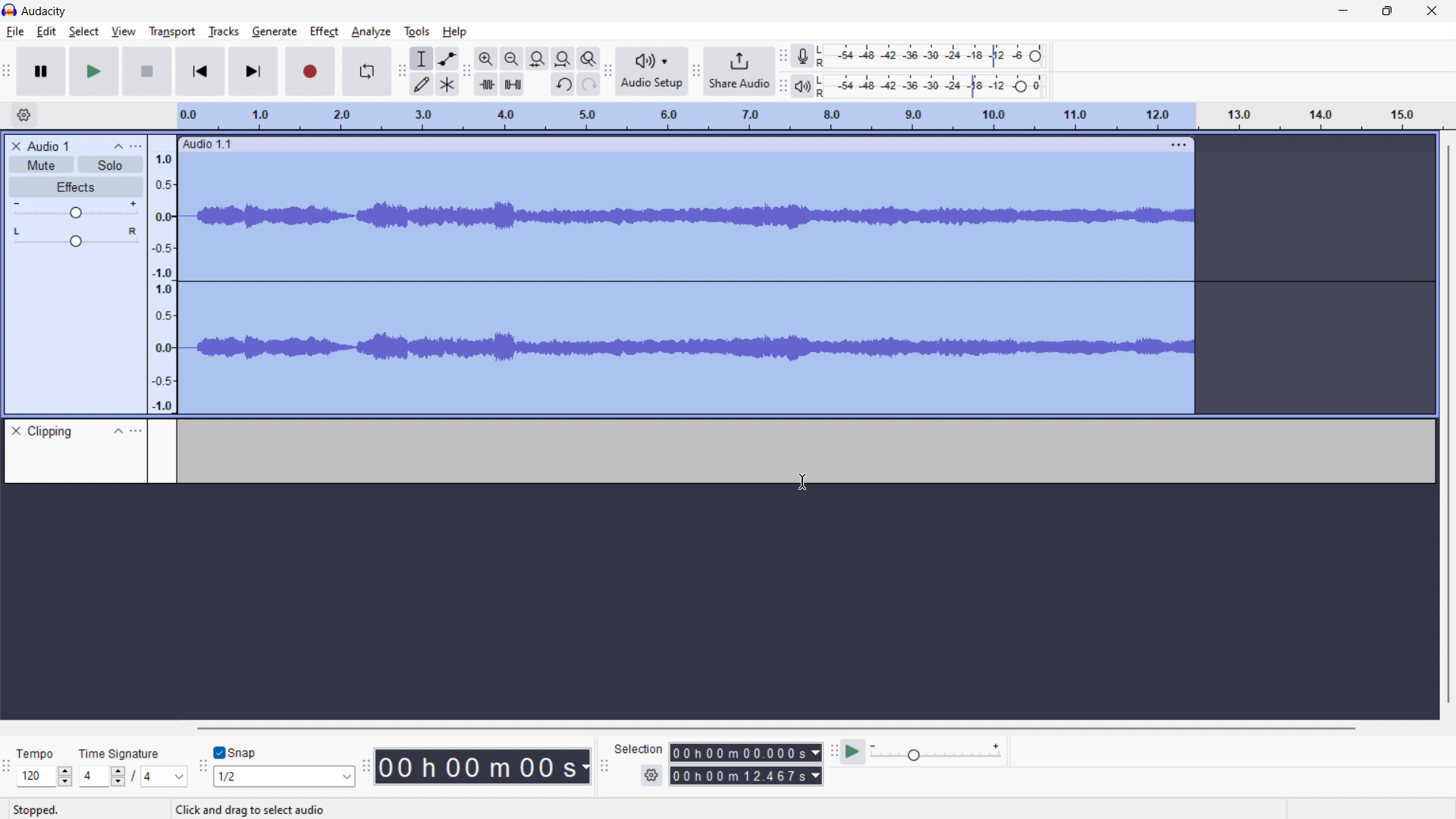  Describe the element at coordinates (16, 430) in the screenshot. I see `delete` at that location.